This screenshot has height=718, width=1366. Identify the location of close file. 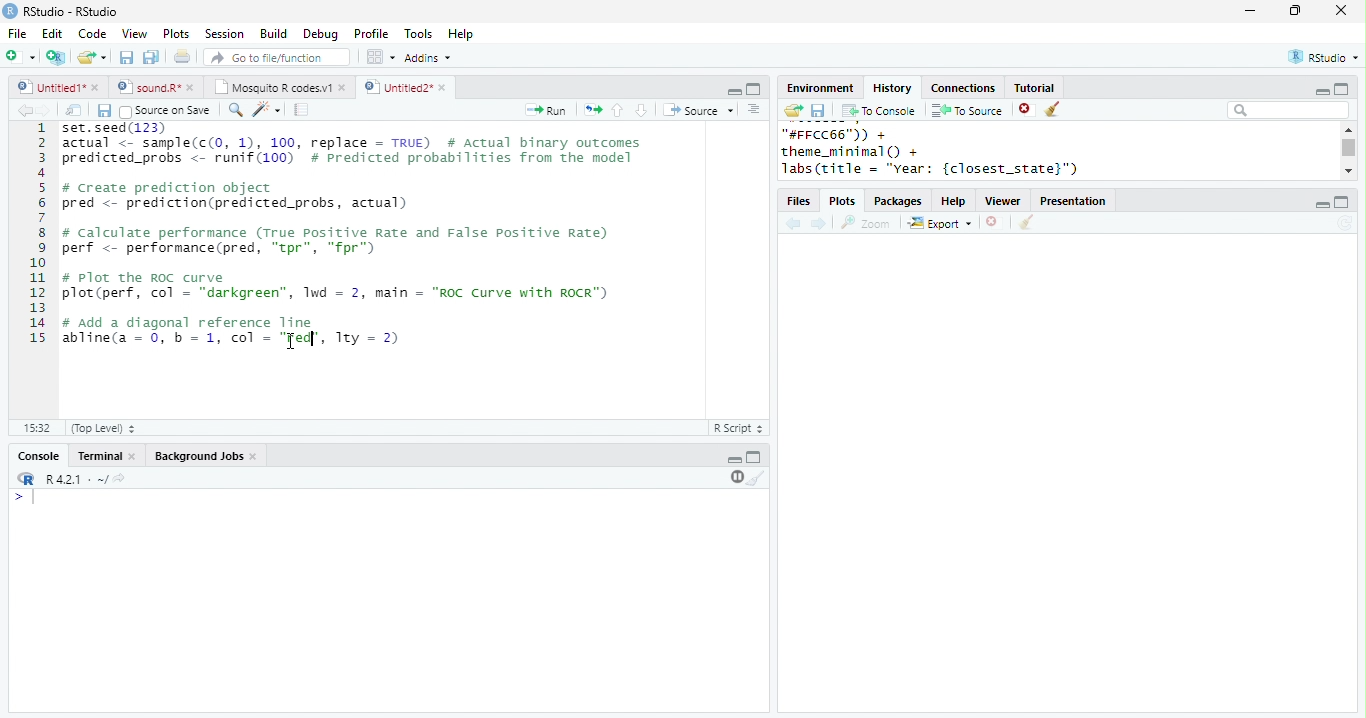
(995, 223).